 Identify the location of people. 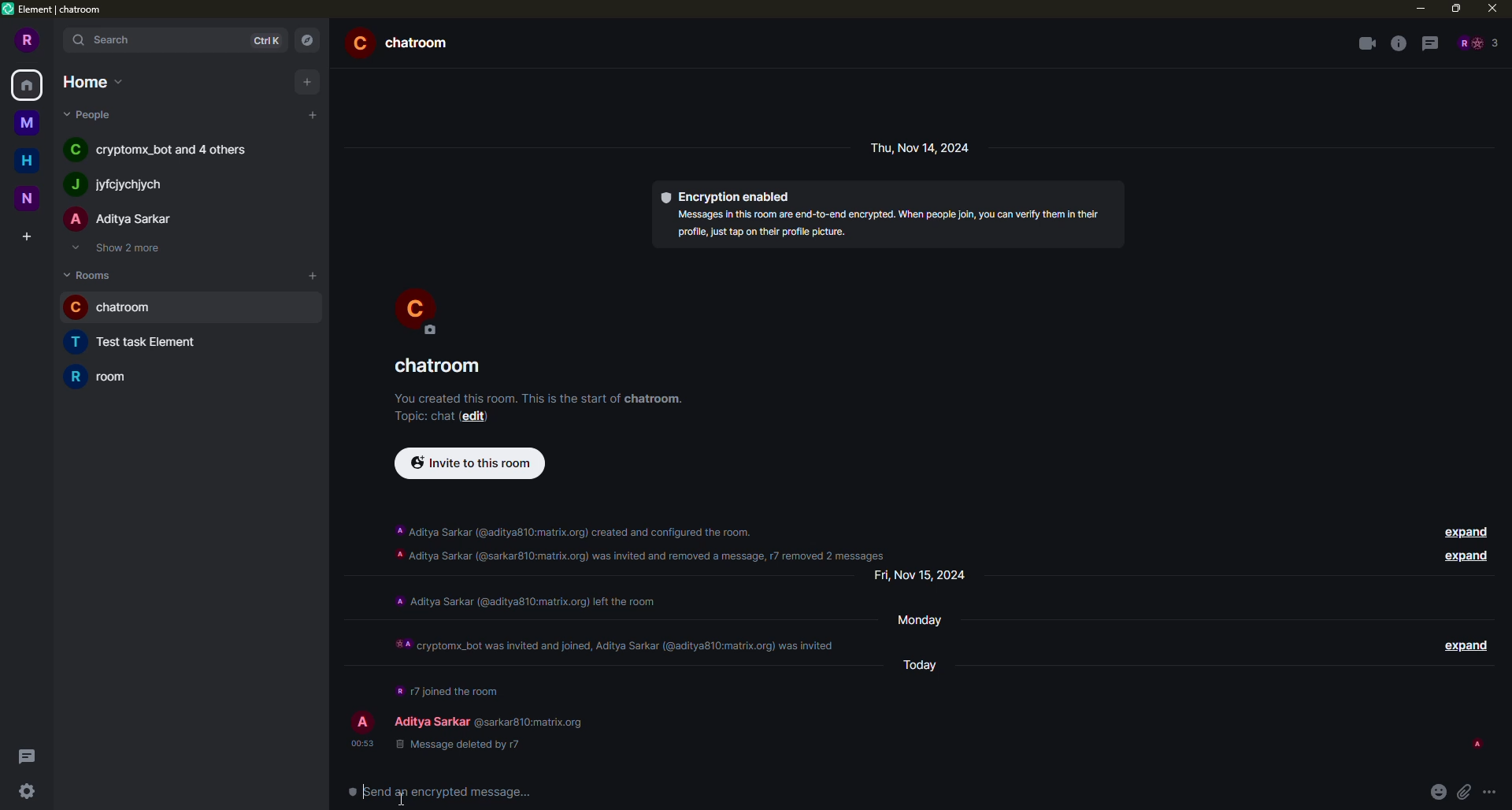
(121, 220).